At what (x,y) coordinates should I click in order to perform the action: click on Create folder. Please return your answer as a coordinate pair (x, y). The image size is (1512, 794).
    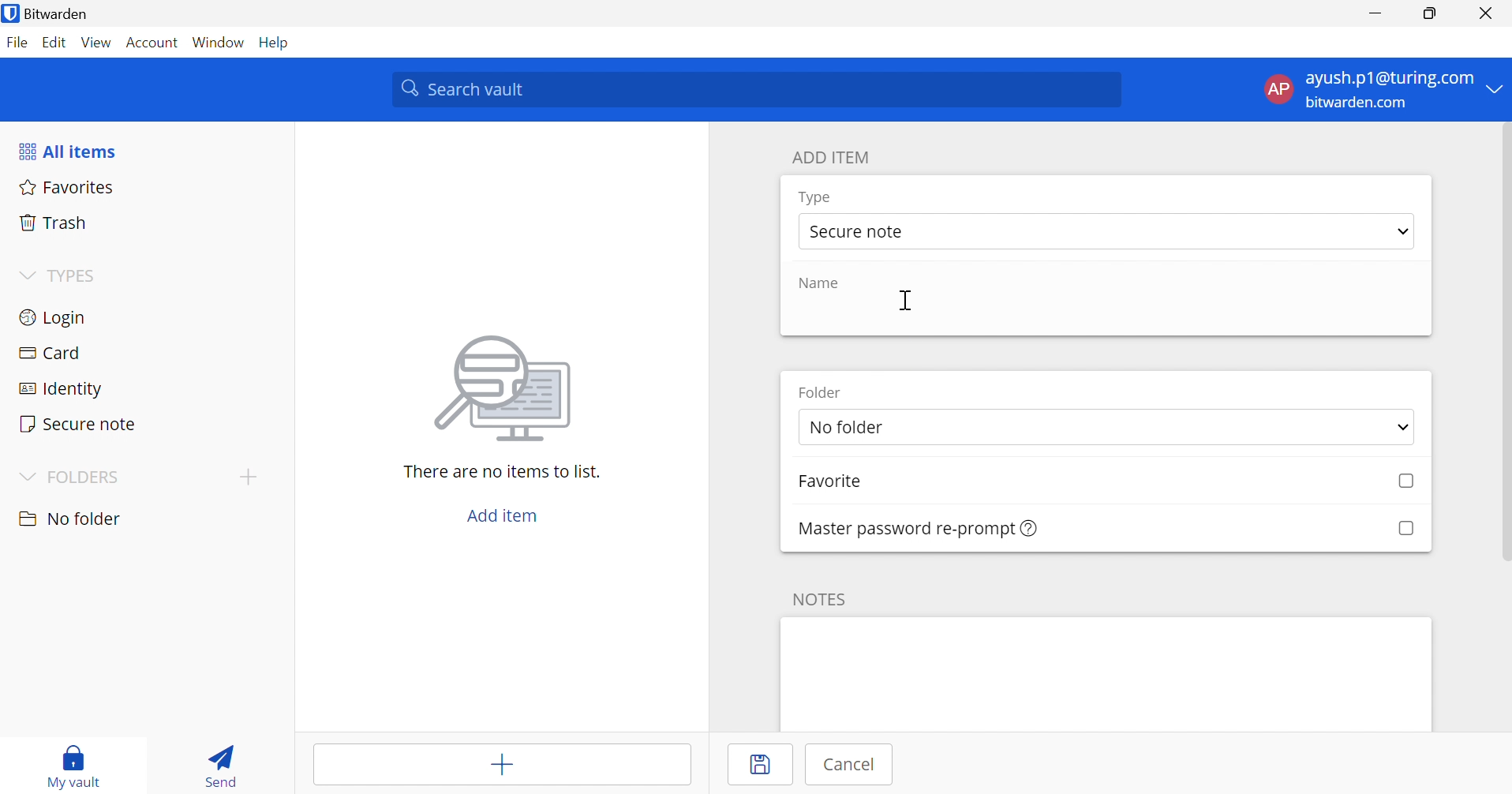
    Looking at the image, I should click on (252, 478).